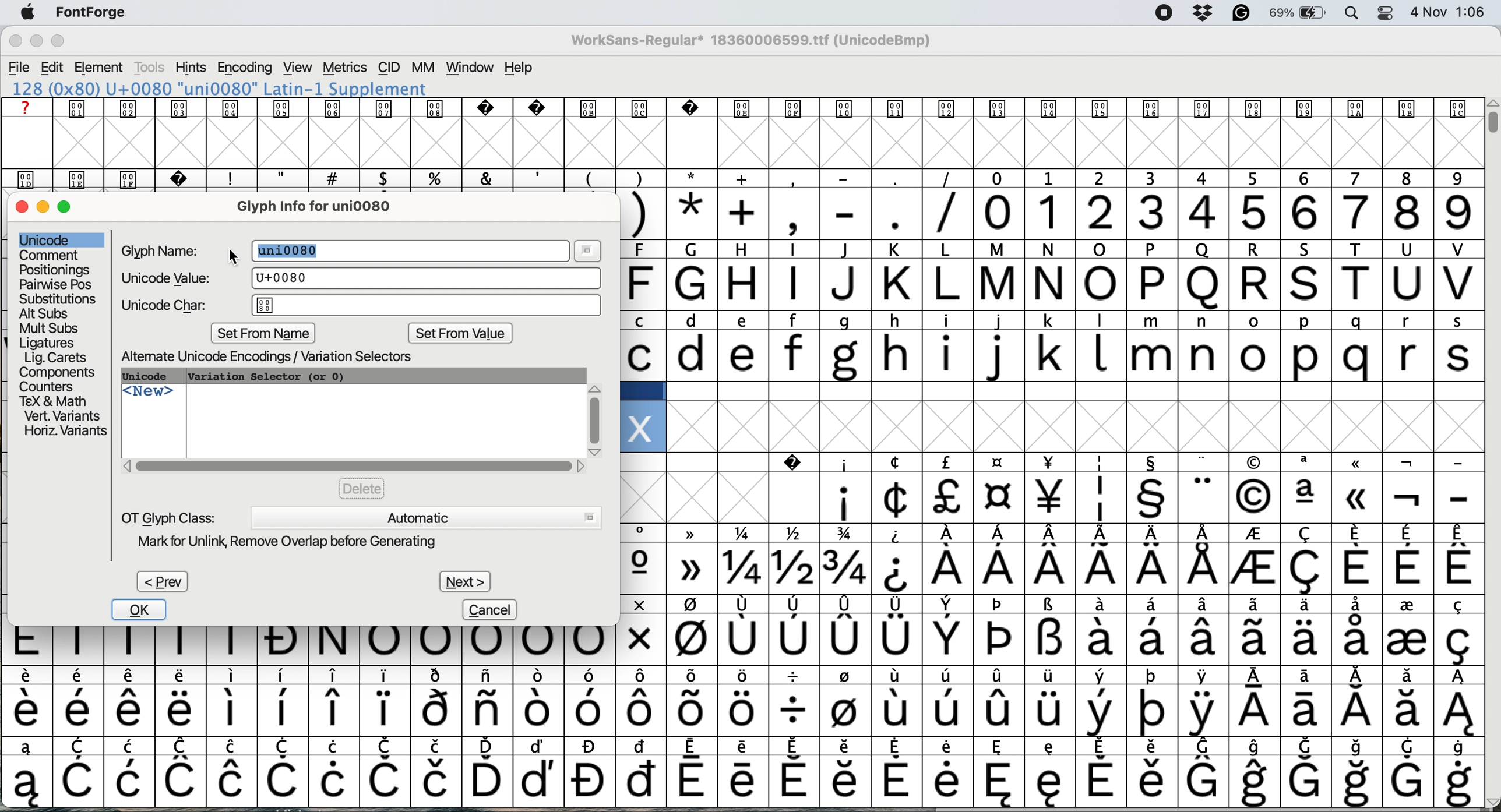 This screenshot has height=812, width=1501. Describe the element at coordinates (220, 89) in the screenshot. I see `120 (0x78) U+0078 "x" LATIN SMALL LETTER X` at that location.